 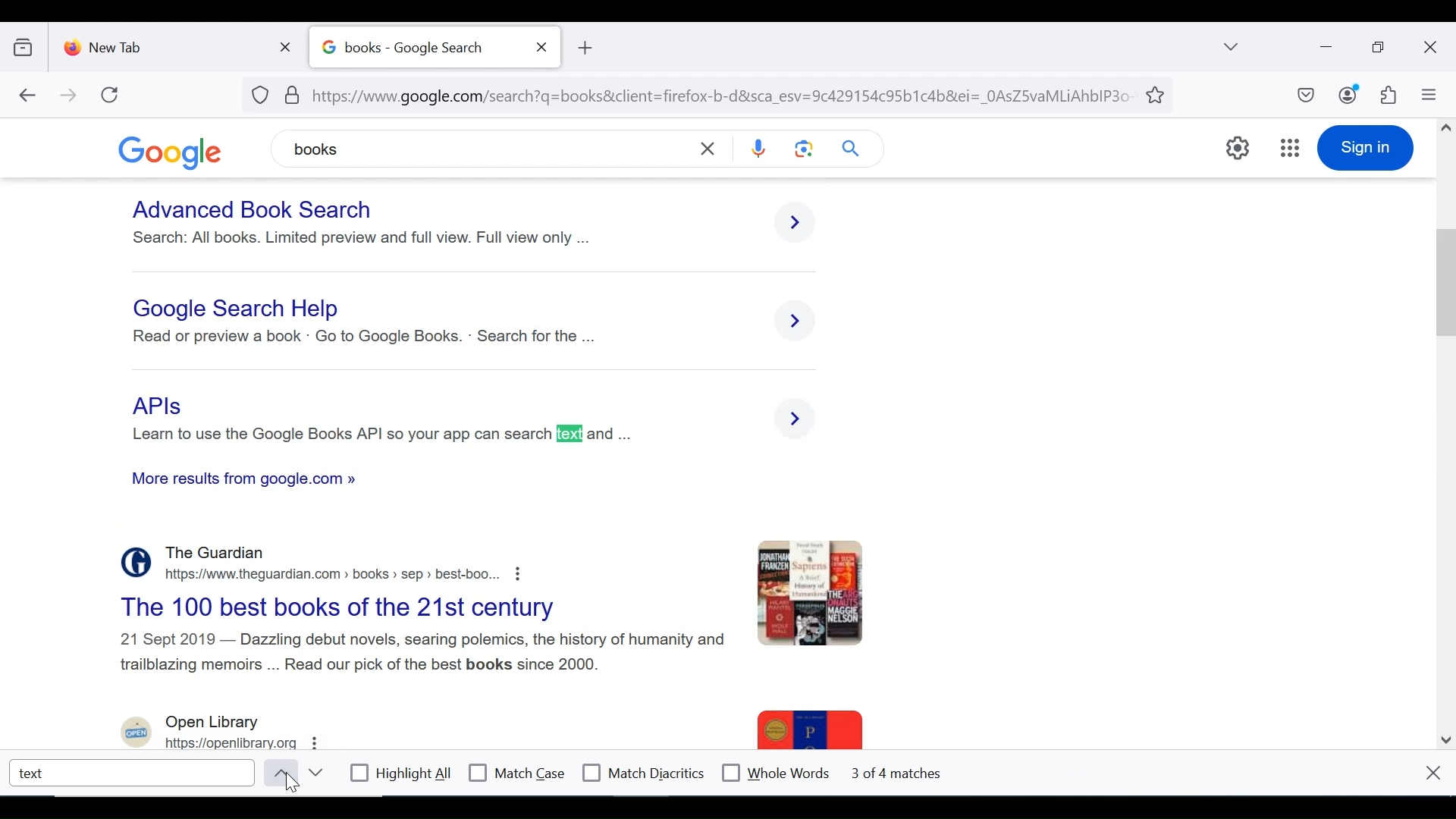 I want to click on voice search, so click(x=758, y=150).